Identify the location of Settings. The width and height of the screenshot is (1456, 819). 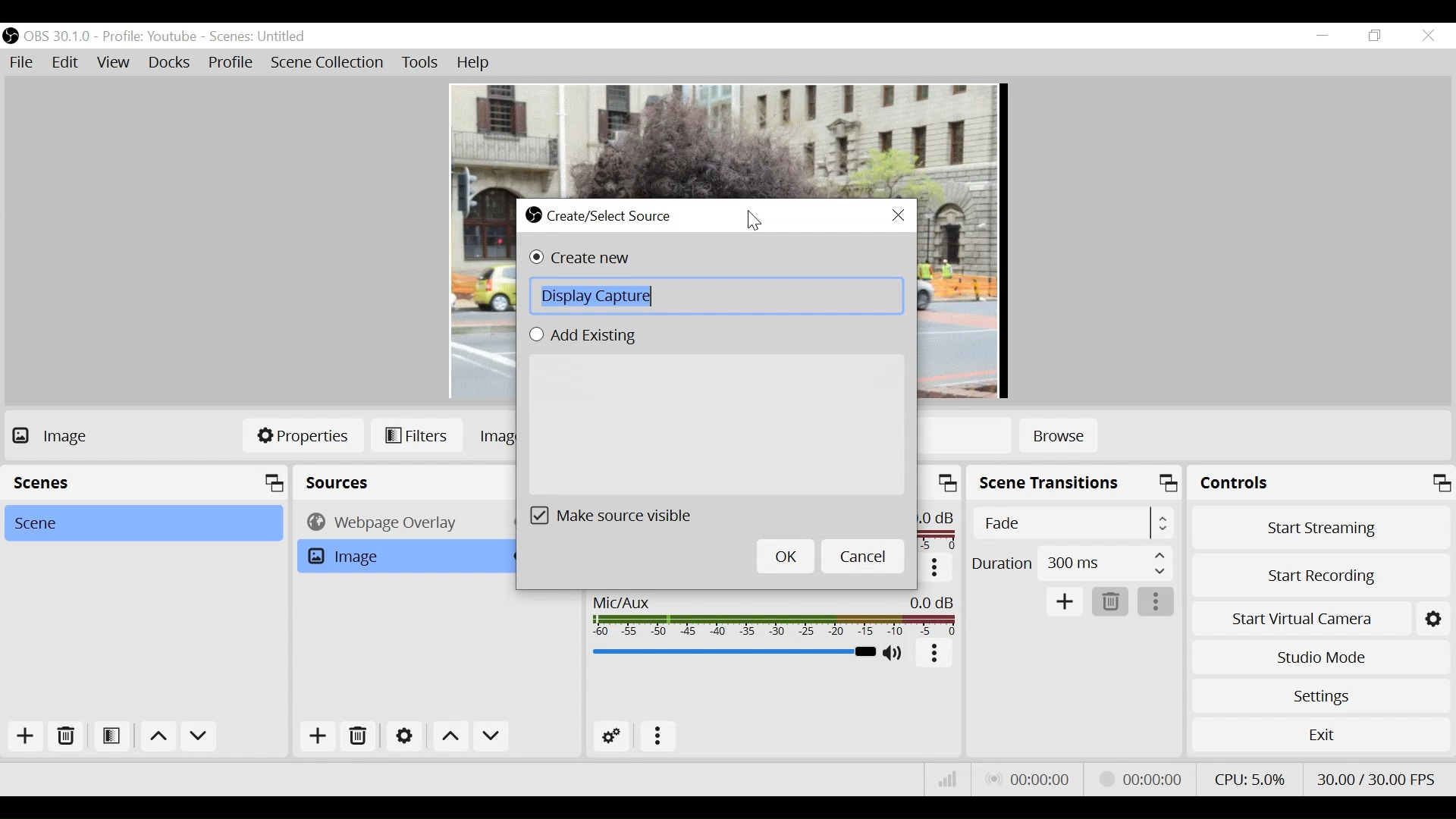
(1432, 620).